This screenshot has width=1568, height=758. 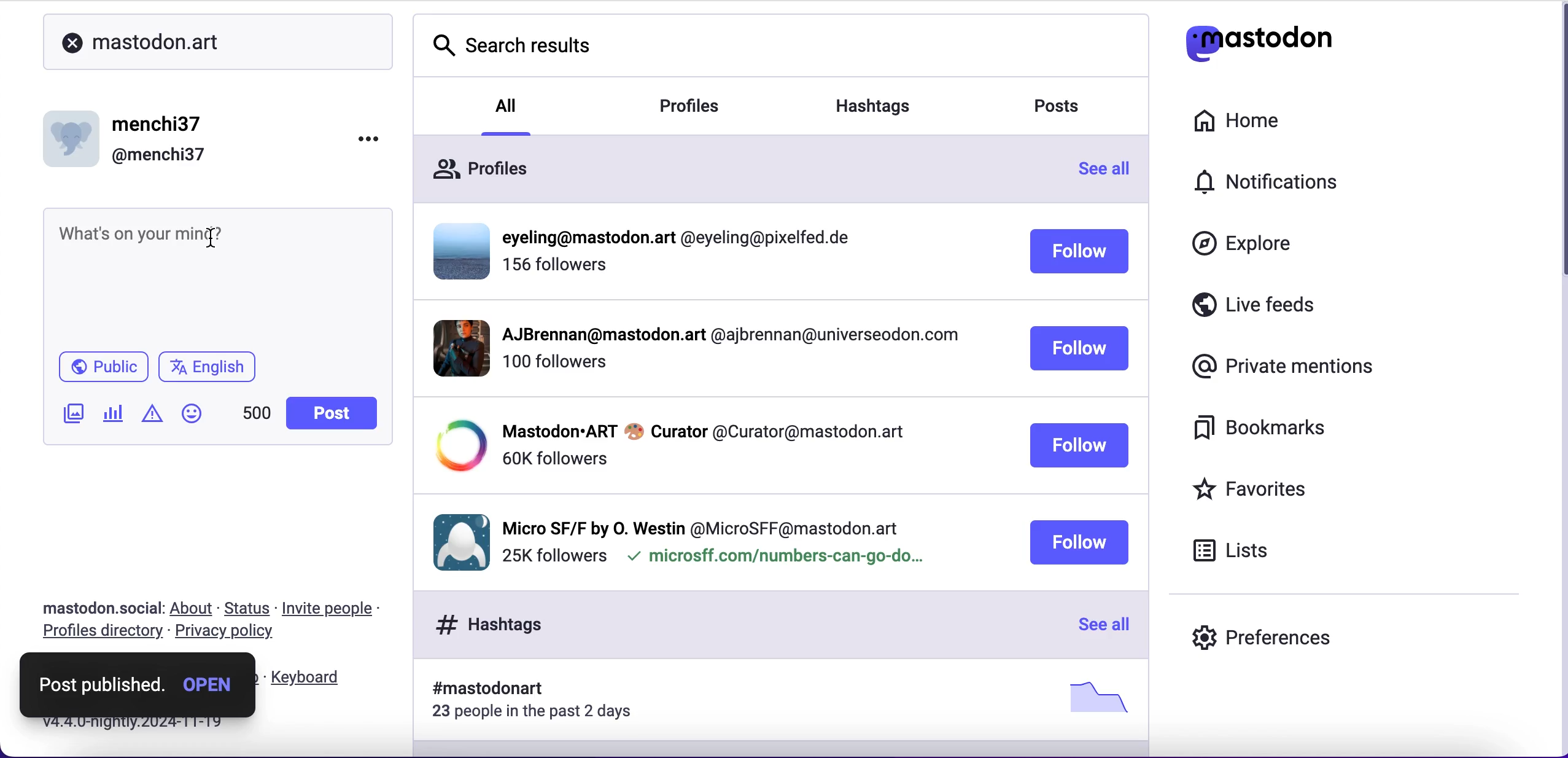 What do you see at coordinates (71, 414) in the screenshot?
I see `add image` at bounding box center [71, 414].